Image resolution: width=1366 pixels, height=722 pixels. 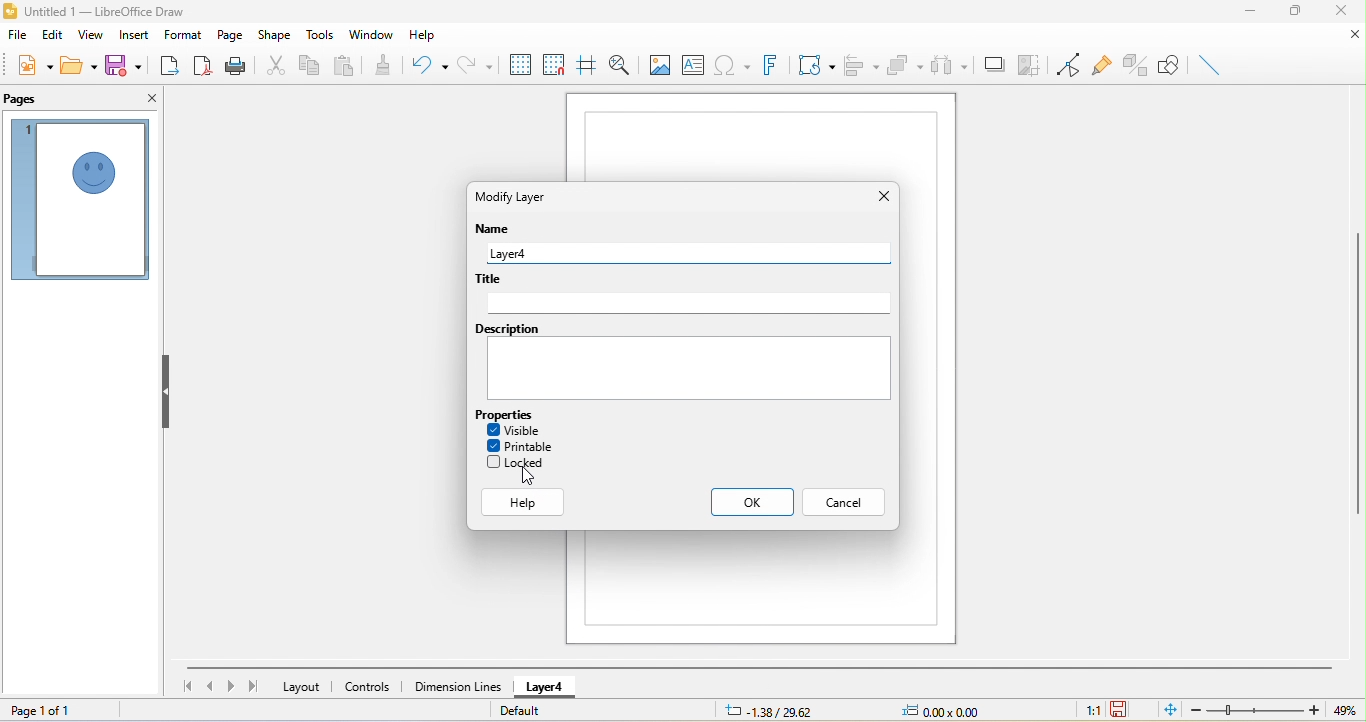 I want to click on edit, so click(x=48, y=38).